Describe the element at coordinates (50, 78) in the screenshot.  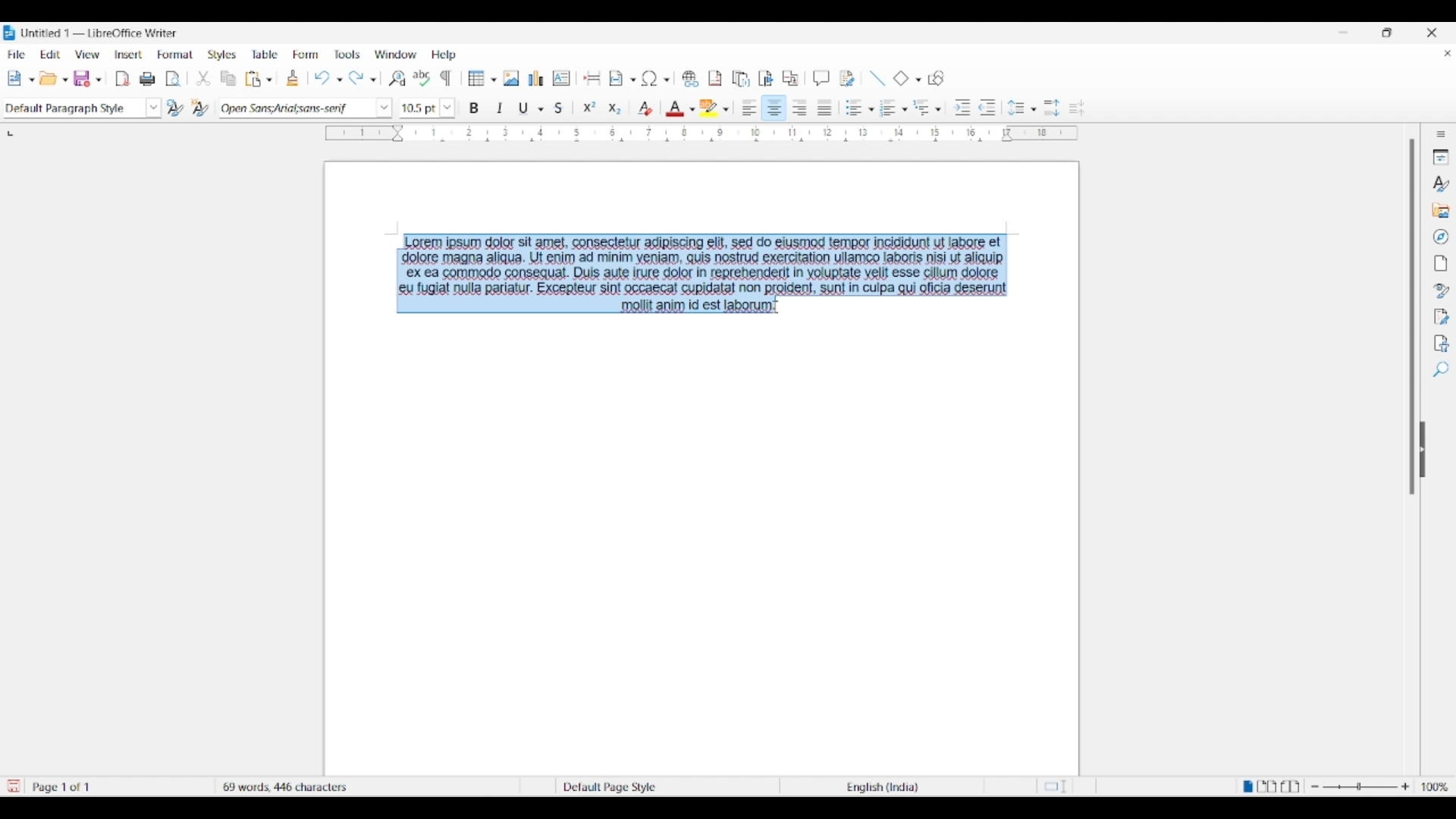
I see `open saved document` at that location.